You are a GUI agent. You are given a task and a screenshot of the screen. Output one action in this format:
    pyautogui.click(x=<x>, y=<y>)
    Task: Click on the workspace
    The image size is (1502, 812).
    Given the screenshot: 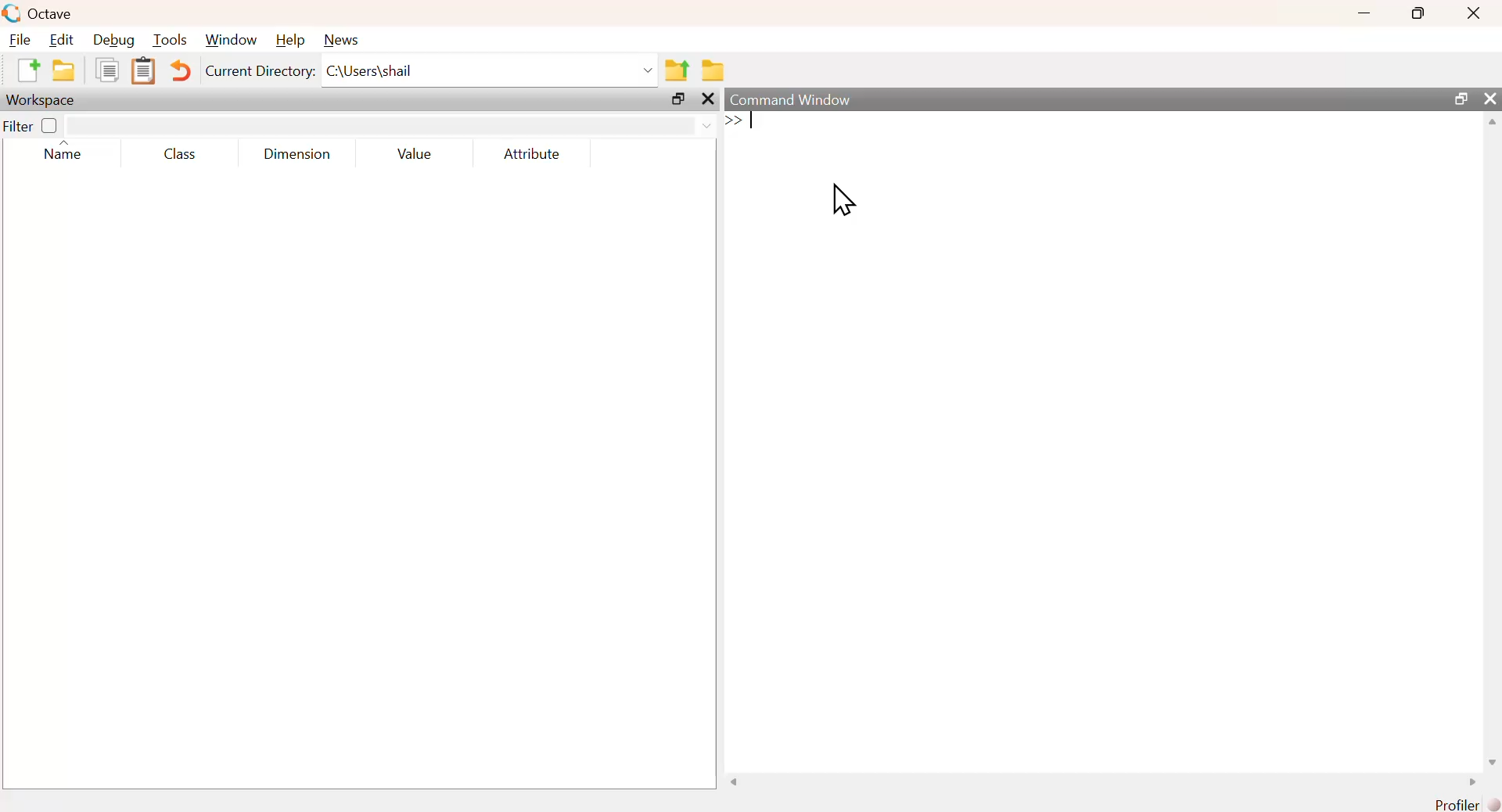 What is the action you would take?
    pyautogui.click(x=43, y=100)
    